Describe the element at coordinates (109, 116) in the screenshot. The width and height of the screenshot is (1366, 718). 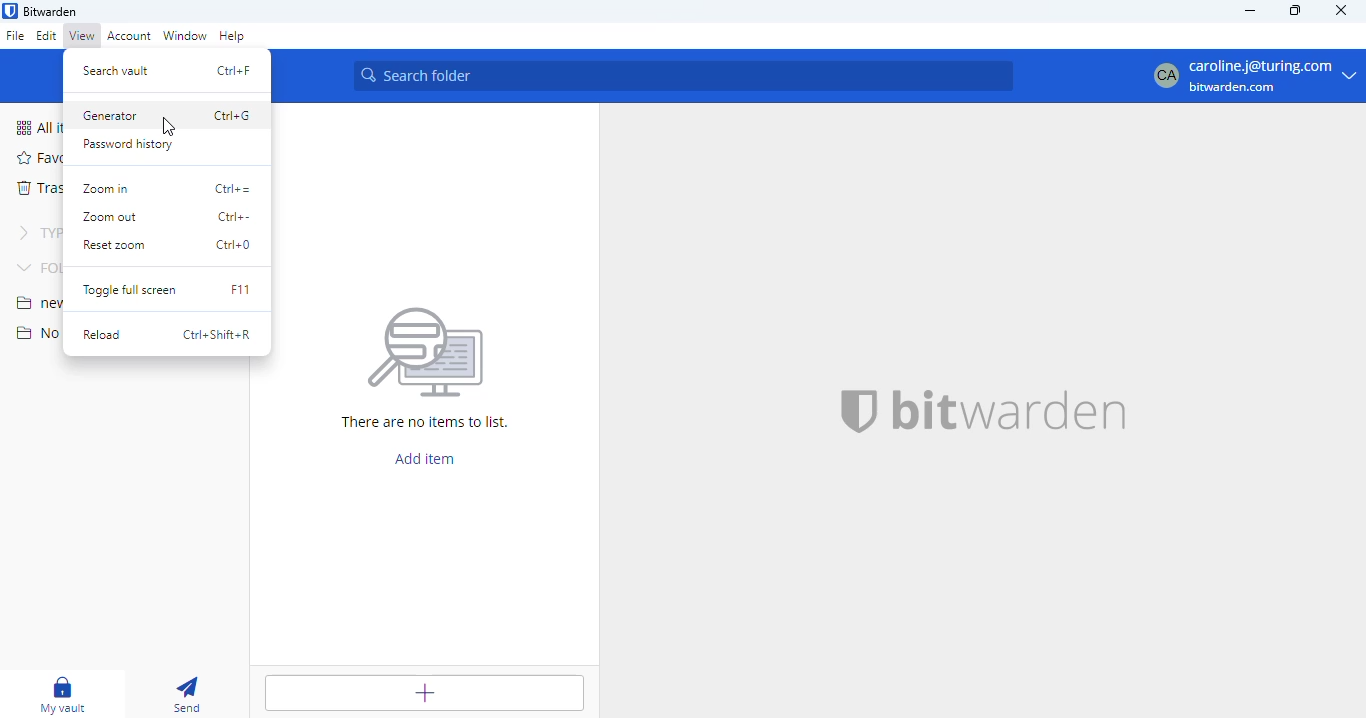
I see `generator` at that location.